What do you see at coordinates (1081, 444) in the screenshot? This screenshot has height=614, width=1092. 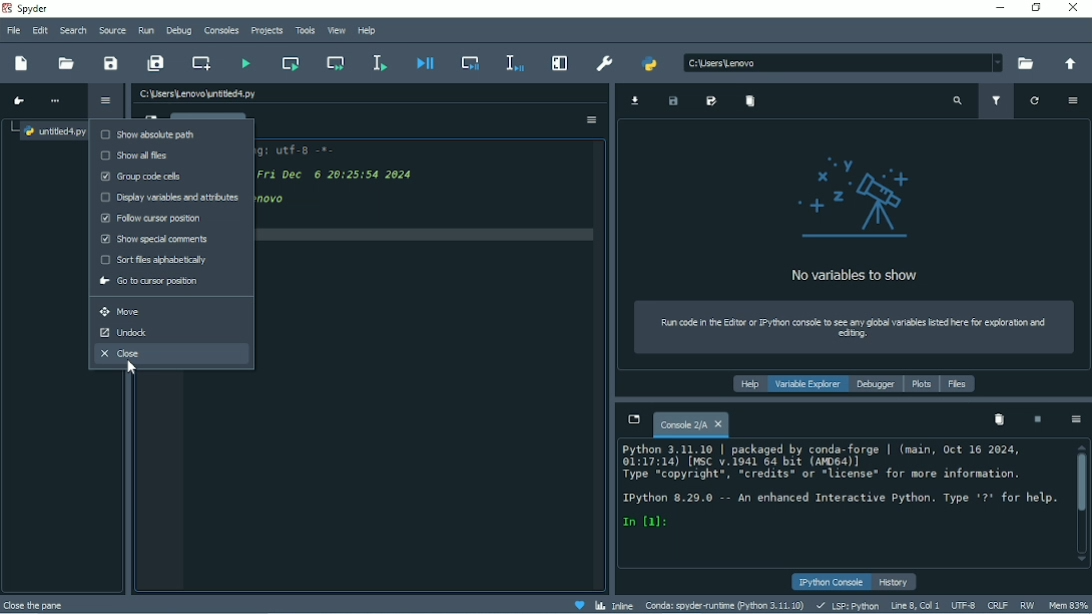 I see `scroll up` at bounding box center [1081, 444].